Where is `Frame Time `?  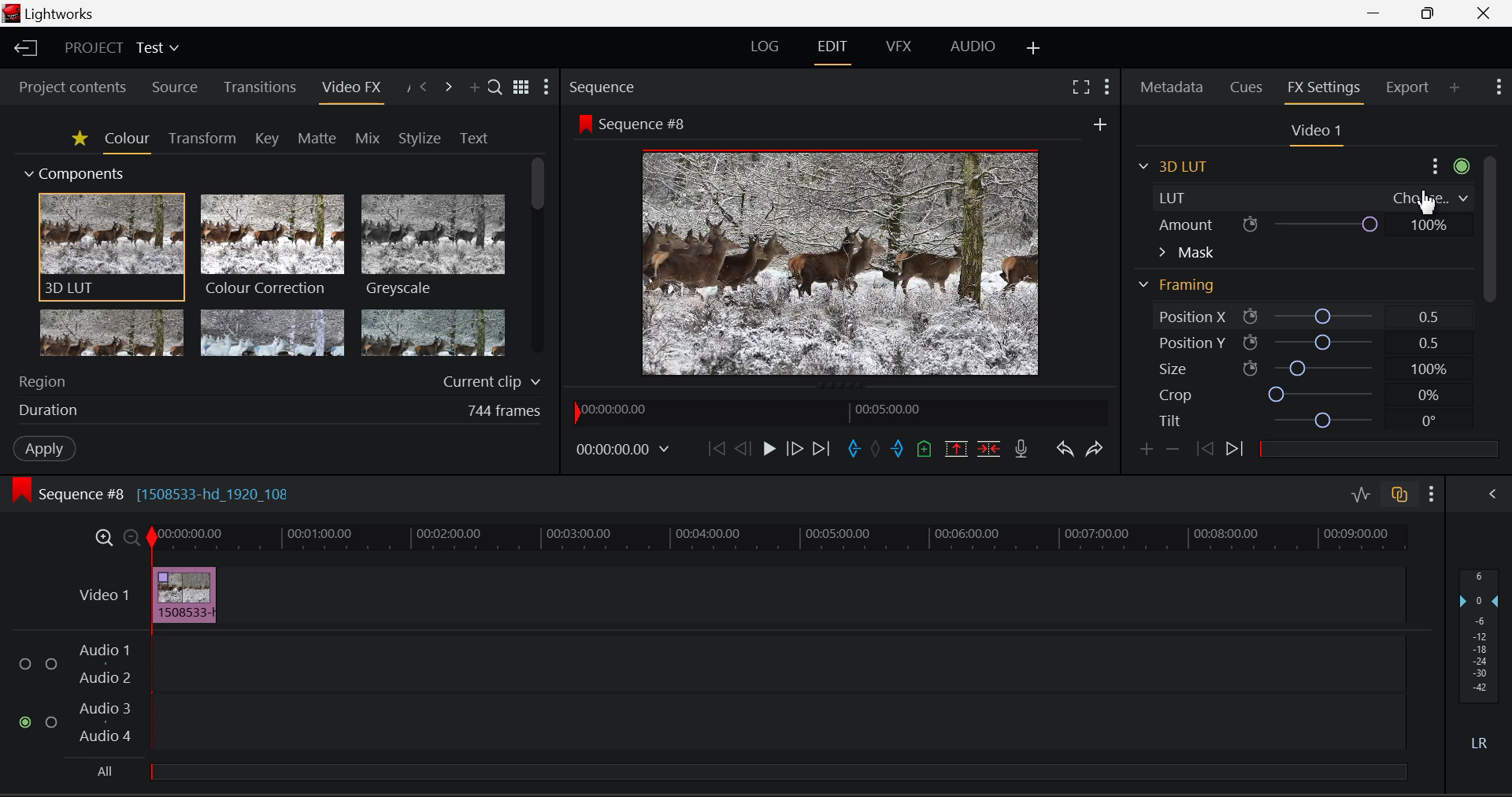
Frame Time  is located at coordinates (622, 453).